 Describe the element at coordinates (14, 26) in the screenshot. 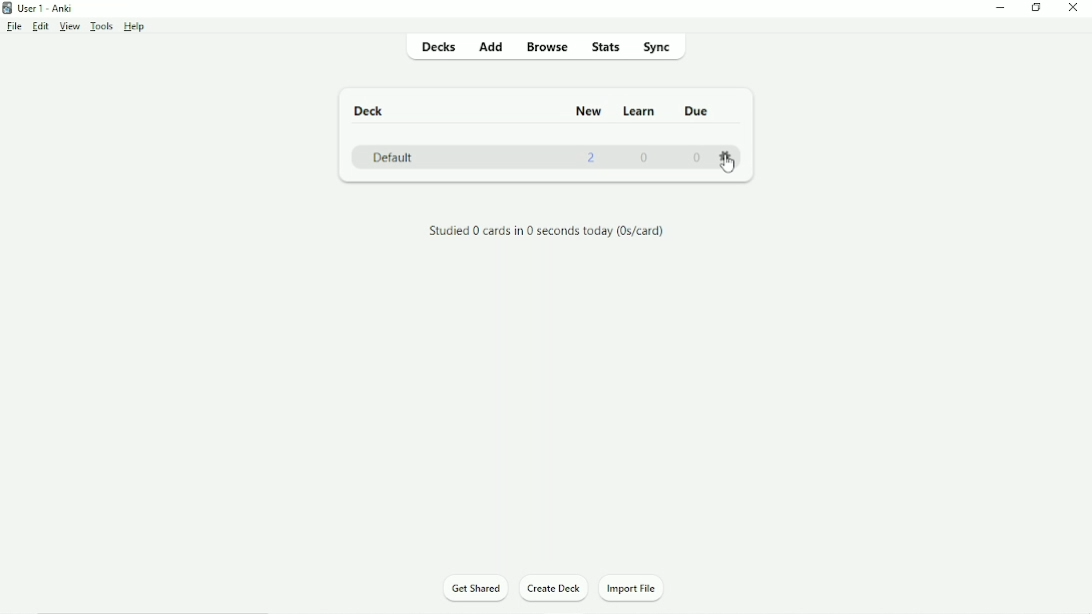

I see `File` at that location.